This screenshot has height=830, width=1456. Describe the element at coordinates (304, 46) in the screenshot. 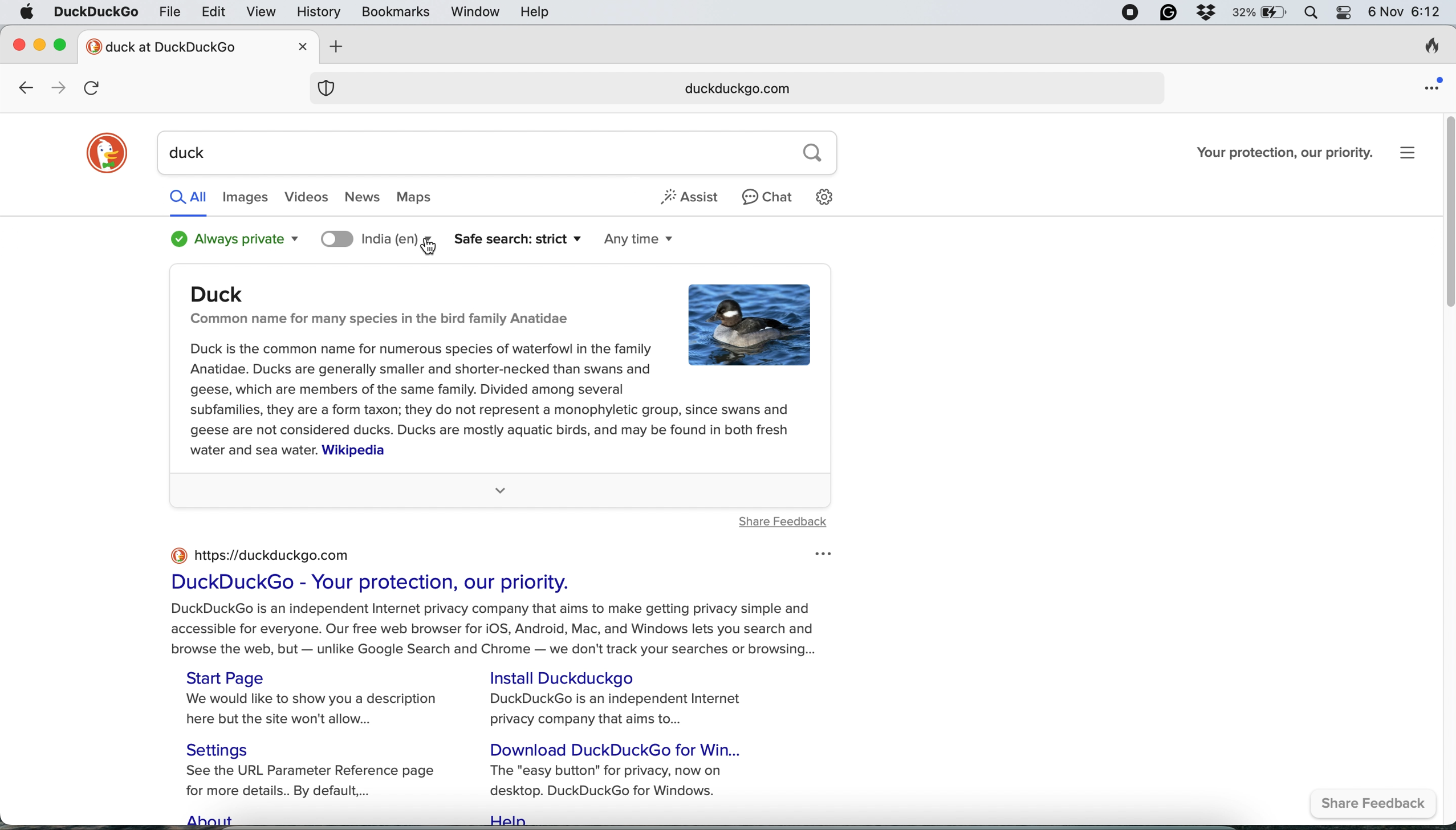

I see `close` at that location.